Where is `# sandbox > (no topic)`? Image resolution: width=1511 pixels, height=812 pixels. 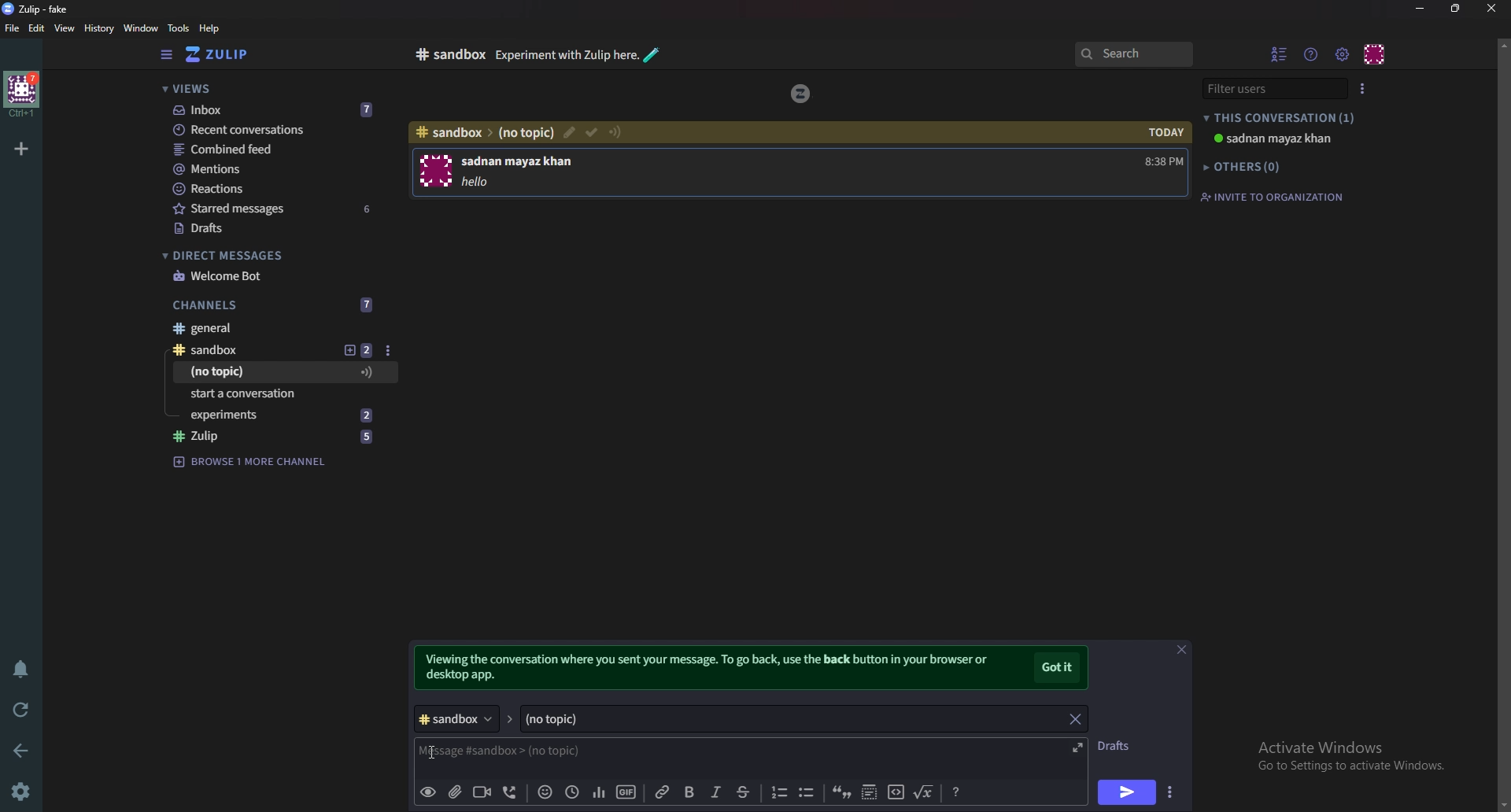
# sandbox > (no topic) is located at coordinates (486, 131).